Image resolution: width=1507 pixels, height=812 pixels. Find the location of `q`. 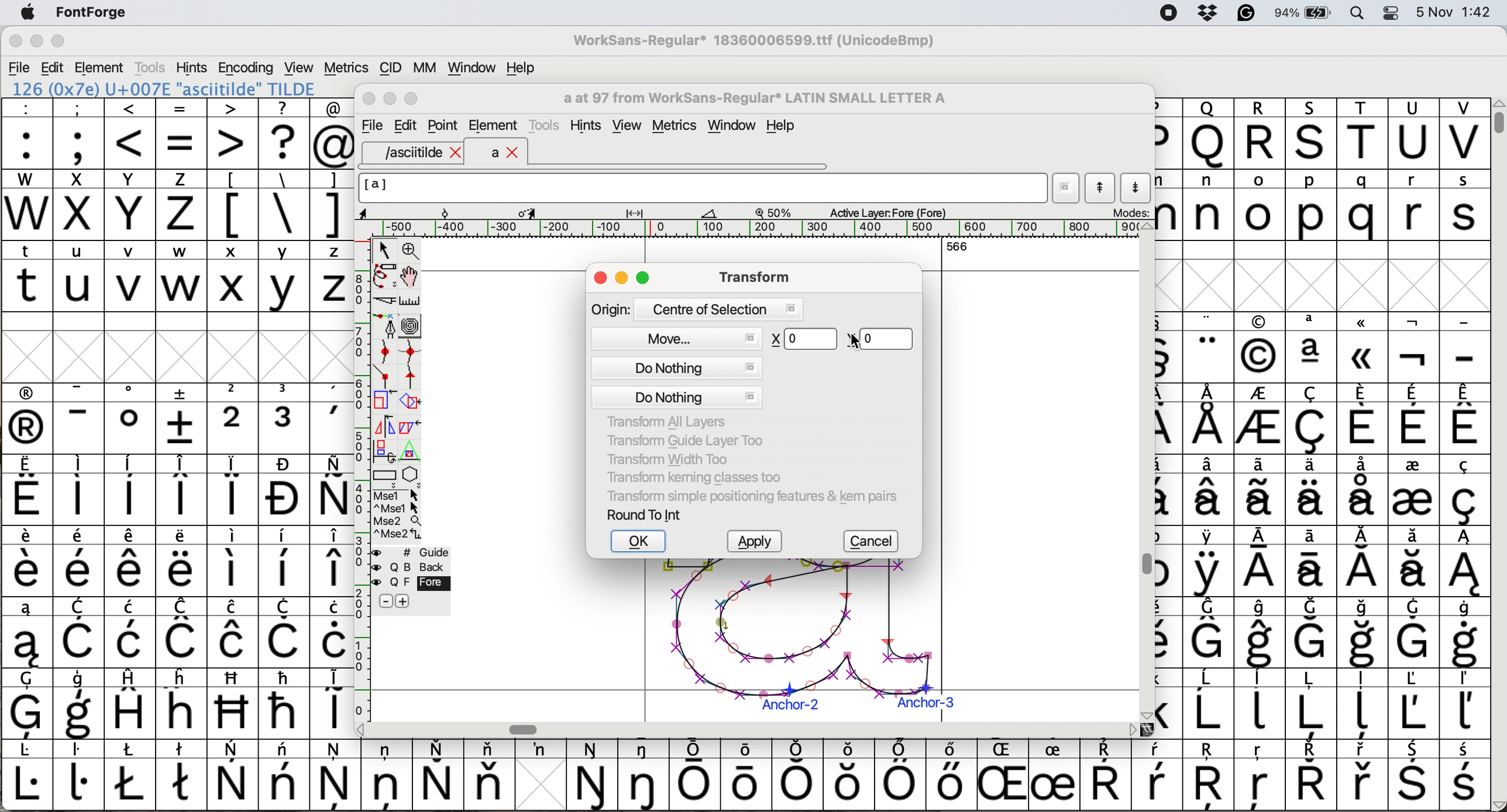

q is located at coordinates (1365, 206).